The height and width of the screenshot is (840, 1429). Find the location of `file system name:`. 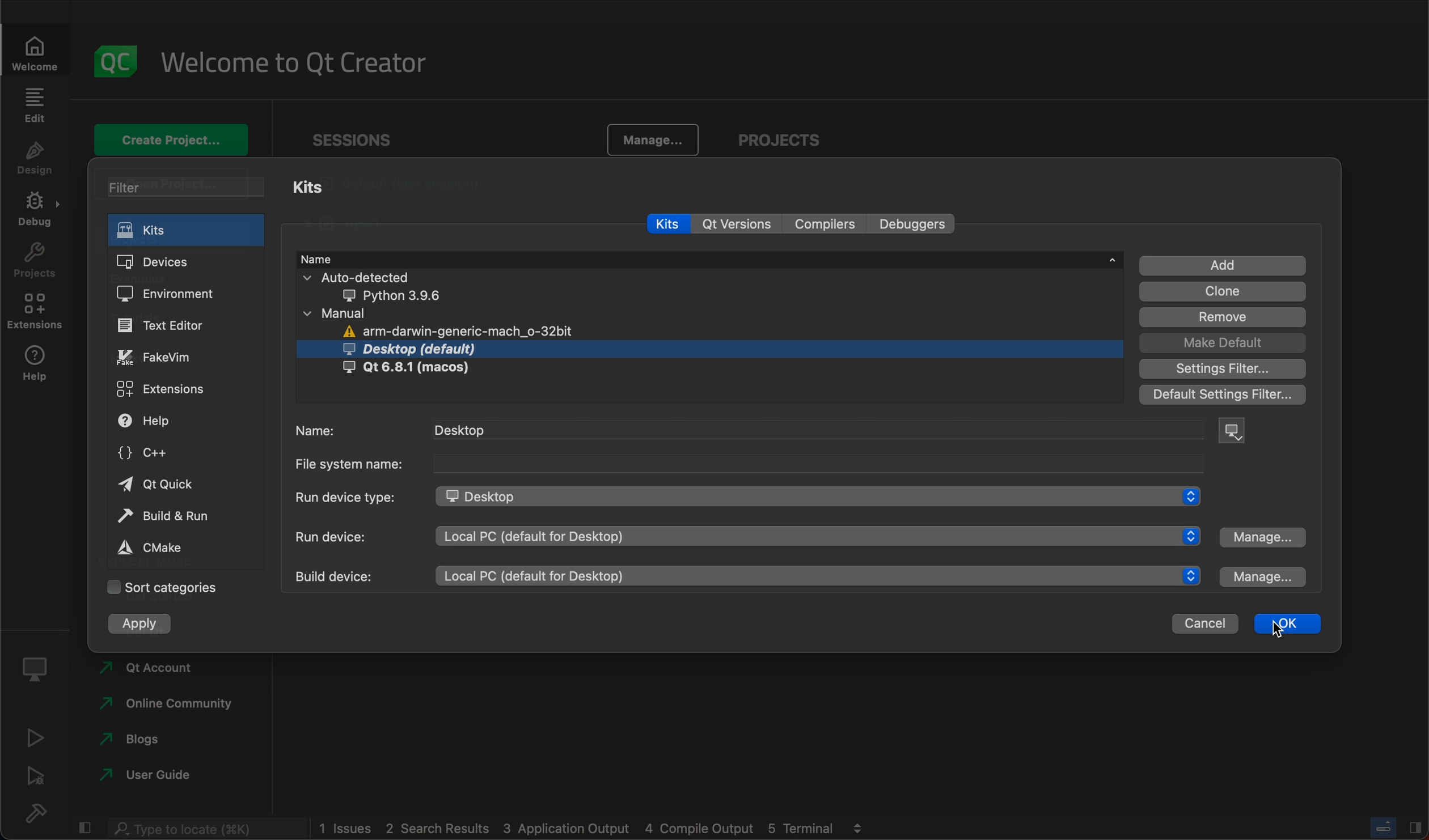

file system name: is located at coordinates (752, 462).